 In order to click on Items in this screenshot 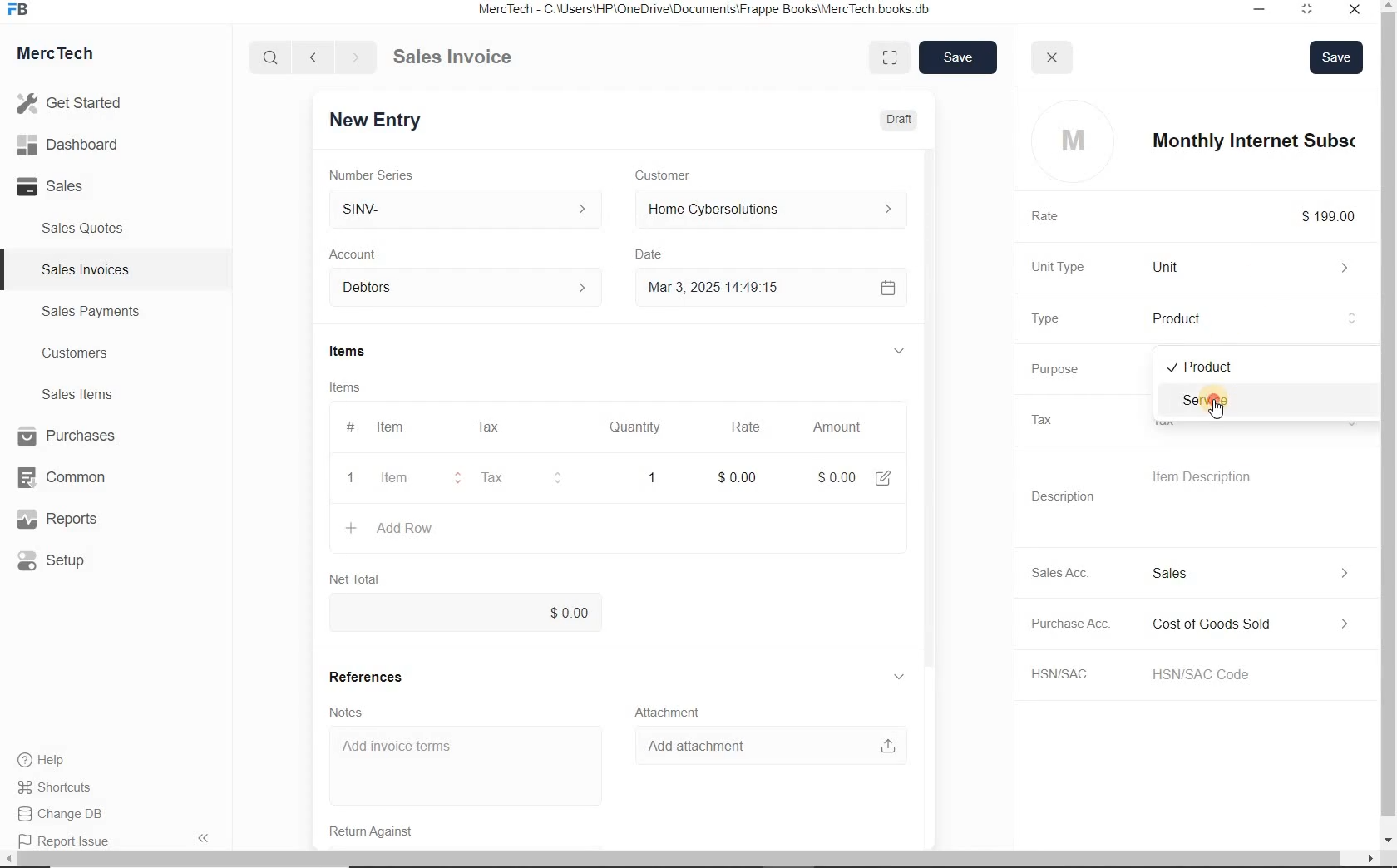, I will do `click(370, 353)`.